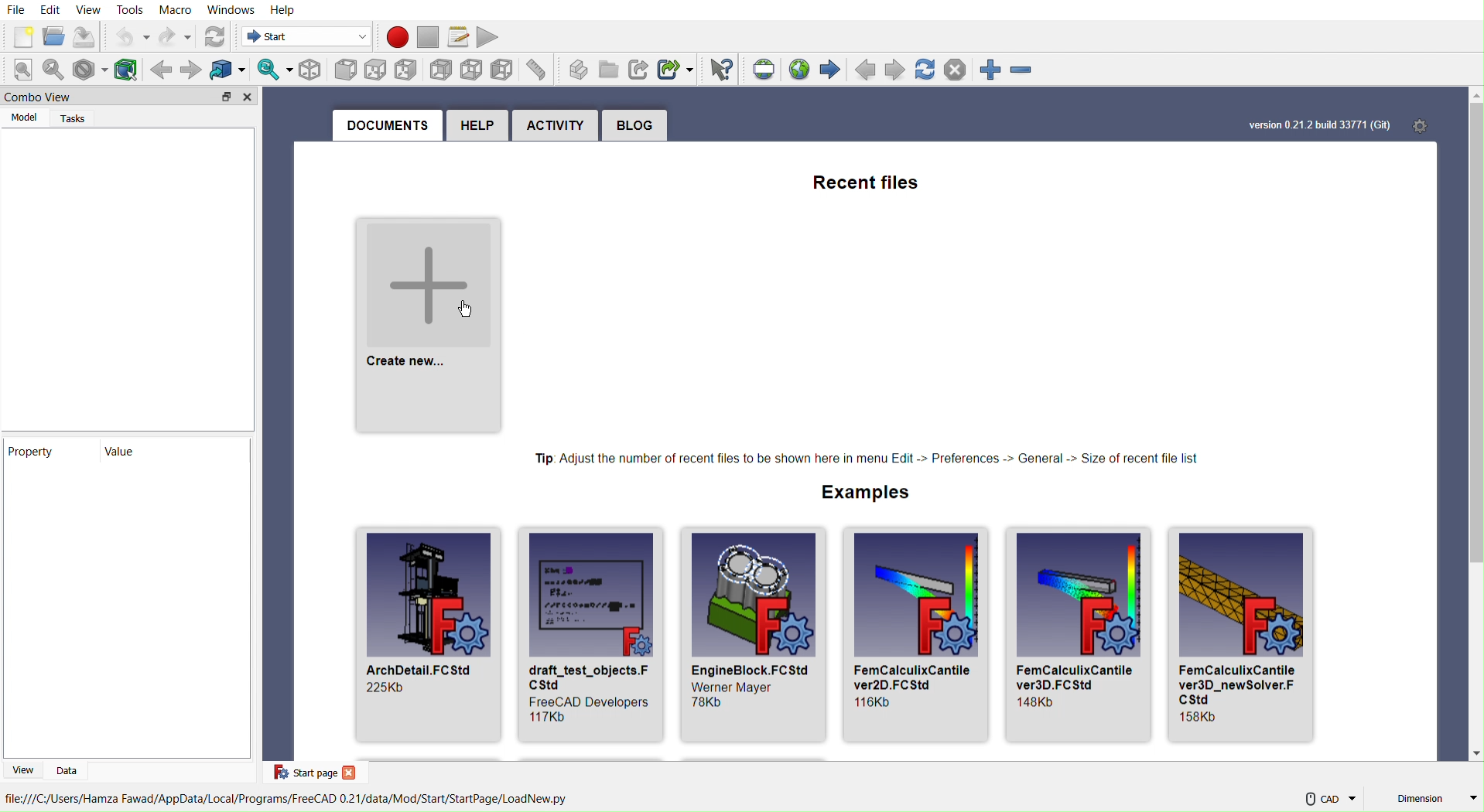 The height and width of the screenshot is (812, 1484). Describe the element at coordinates (90, 10) in the screenshot. I see `View` at that location.